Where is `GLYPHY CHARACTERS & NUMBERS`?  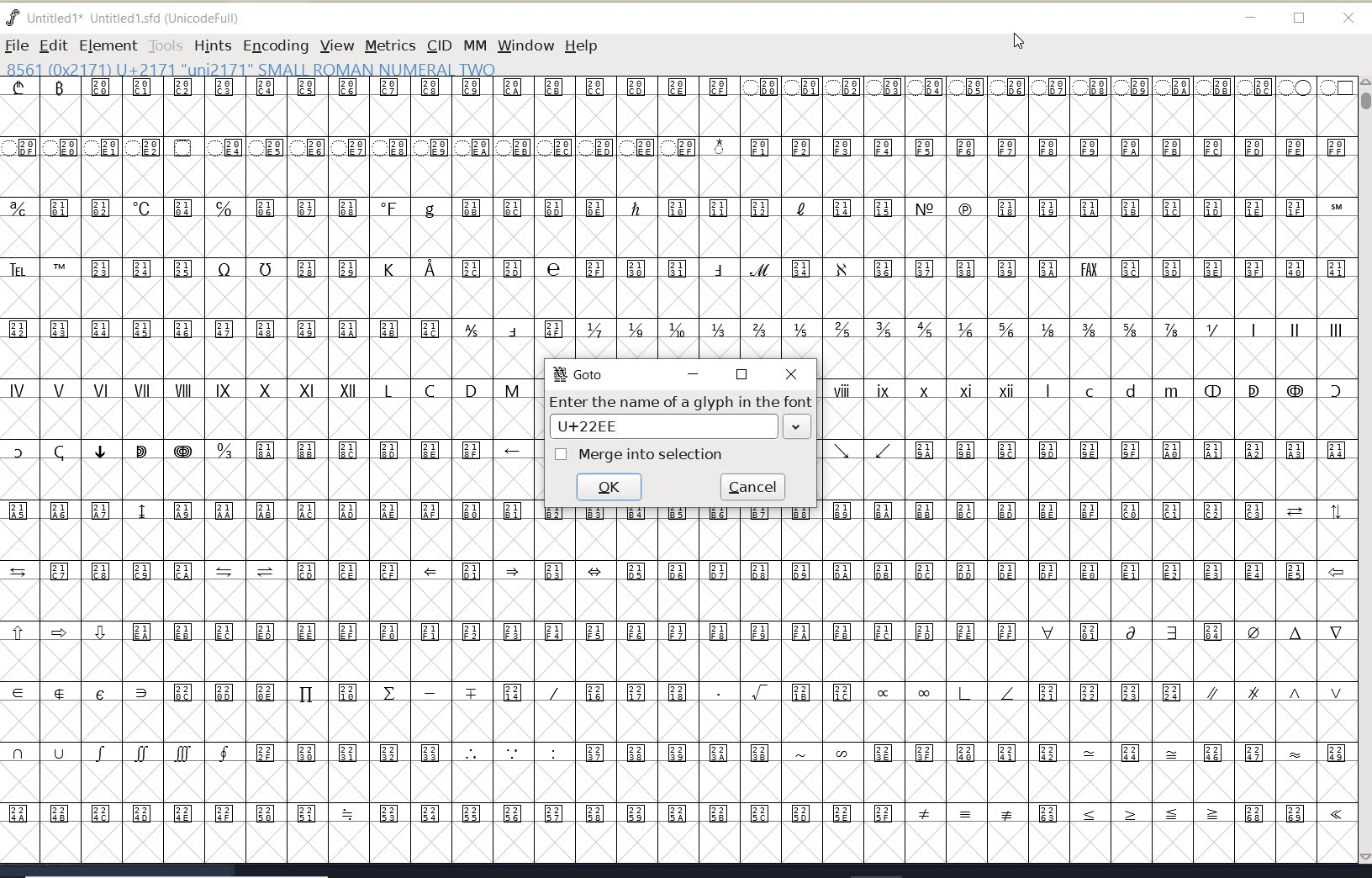
GLYPHY CHARACTERS & NUMBERS is located at coordinates (675, 219).